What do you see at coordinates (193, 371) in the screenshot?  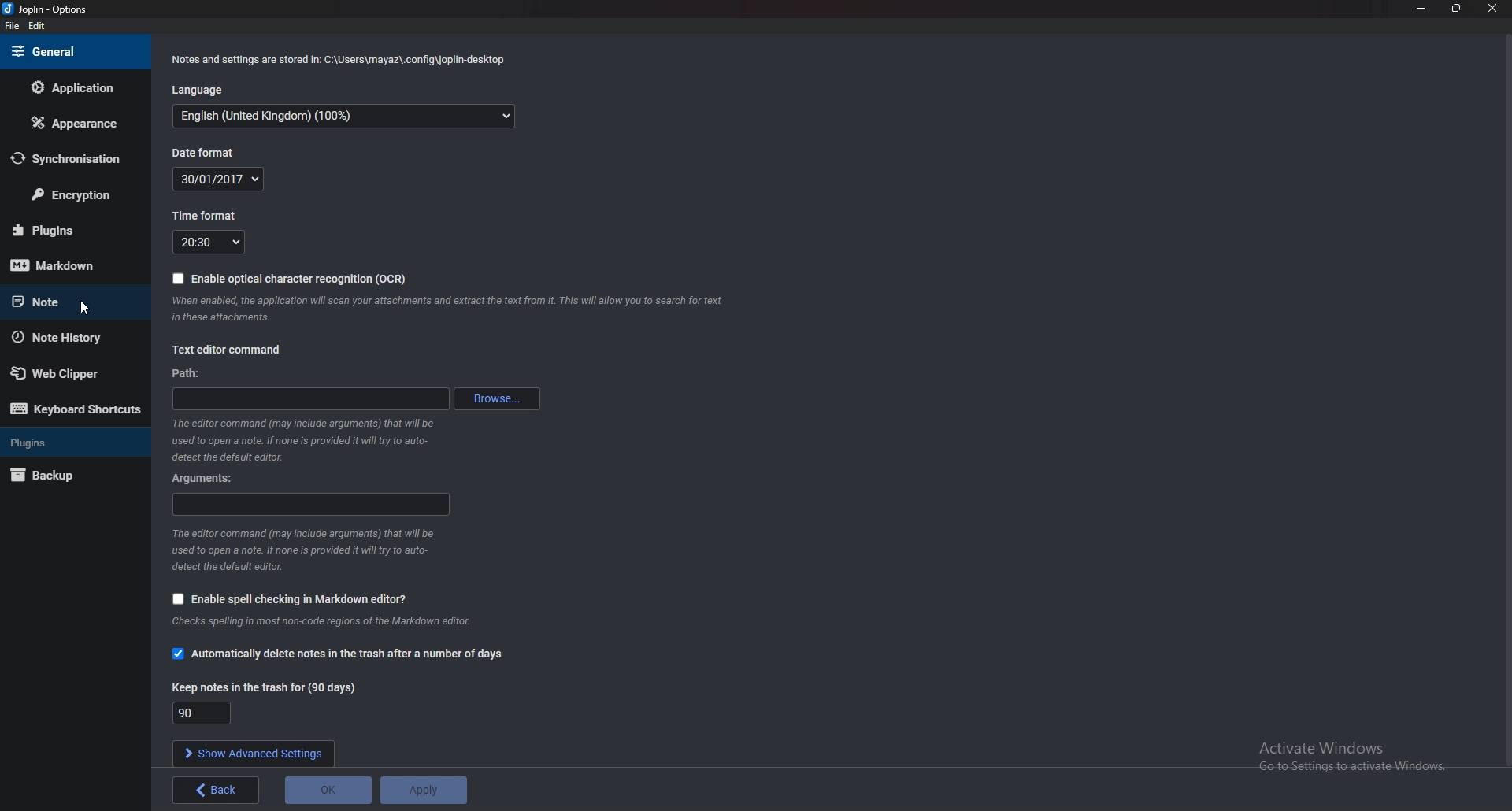 I see `path` at bounding box center [193, 371].